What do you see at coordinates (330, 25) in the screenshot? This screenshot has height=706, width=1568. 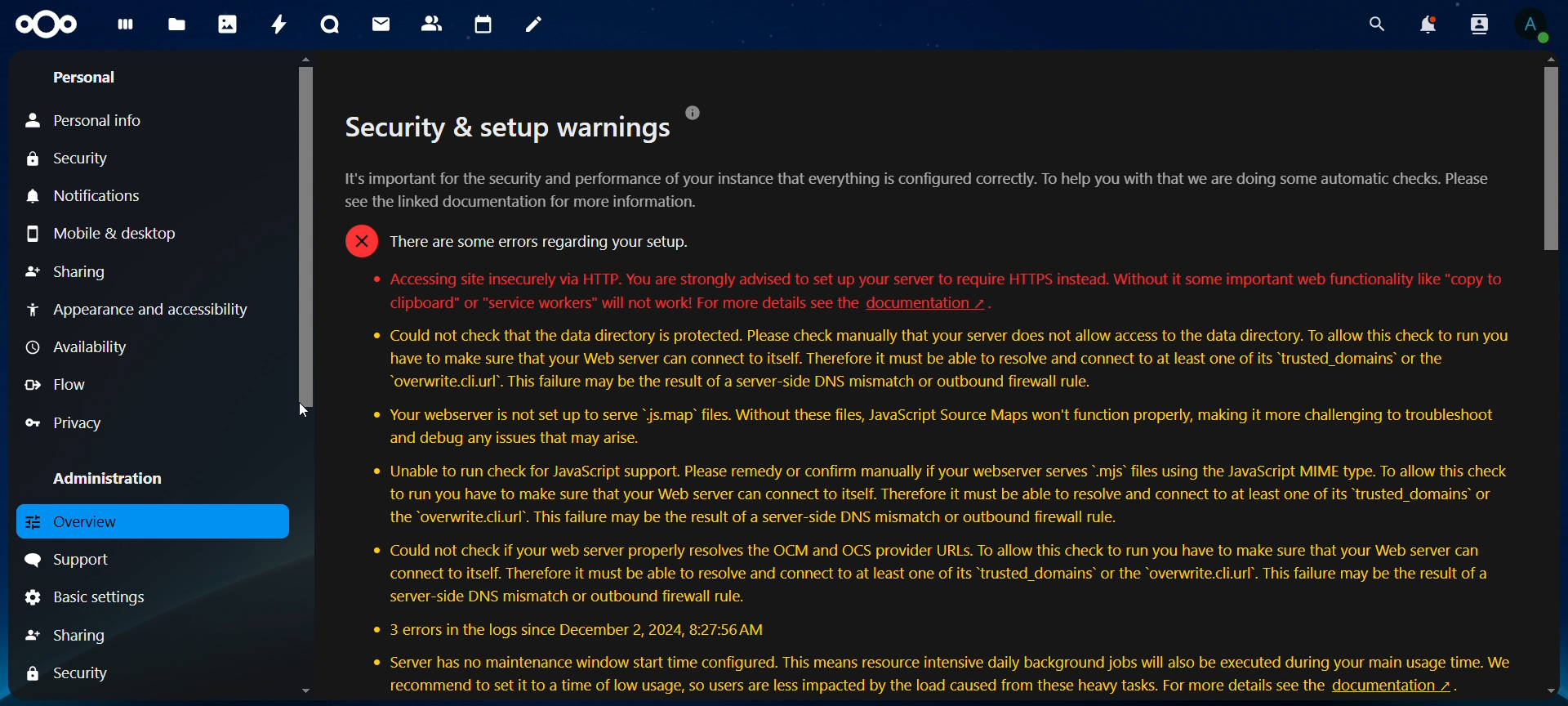 I see `talk` at bounding box center [330, 25].